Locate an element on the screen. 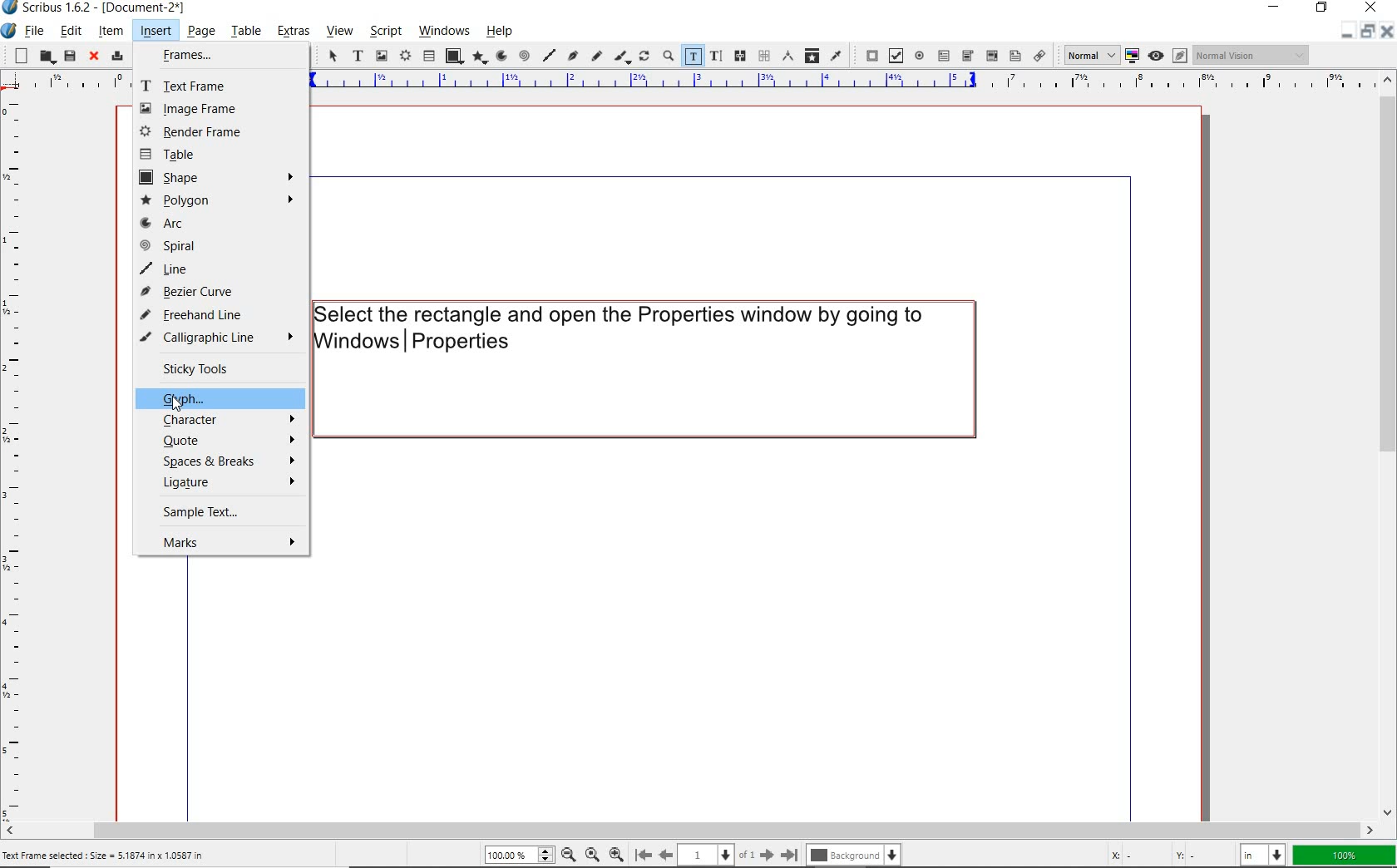 The height and width of the screenshot is (868, 1397). preview mode is located at coordinates (1167, 56).